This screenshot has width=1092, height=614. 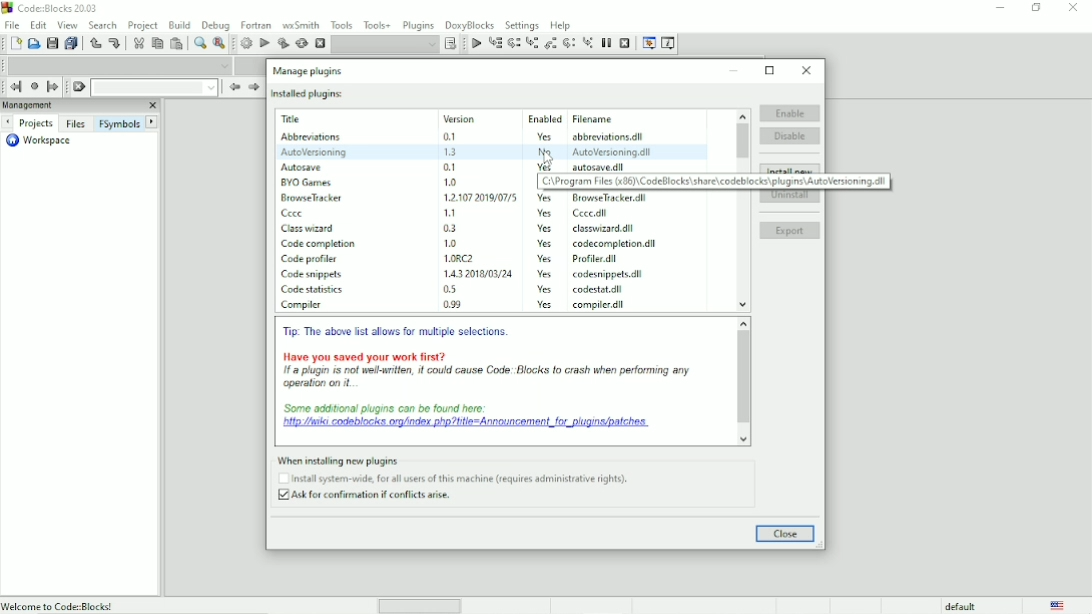 What do you see at coordinates (312, 227) in the screenshot?
I see `plugin` at bounding box center [312, 227].